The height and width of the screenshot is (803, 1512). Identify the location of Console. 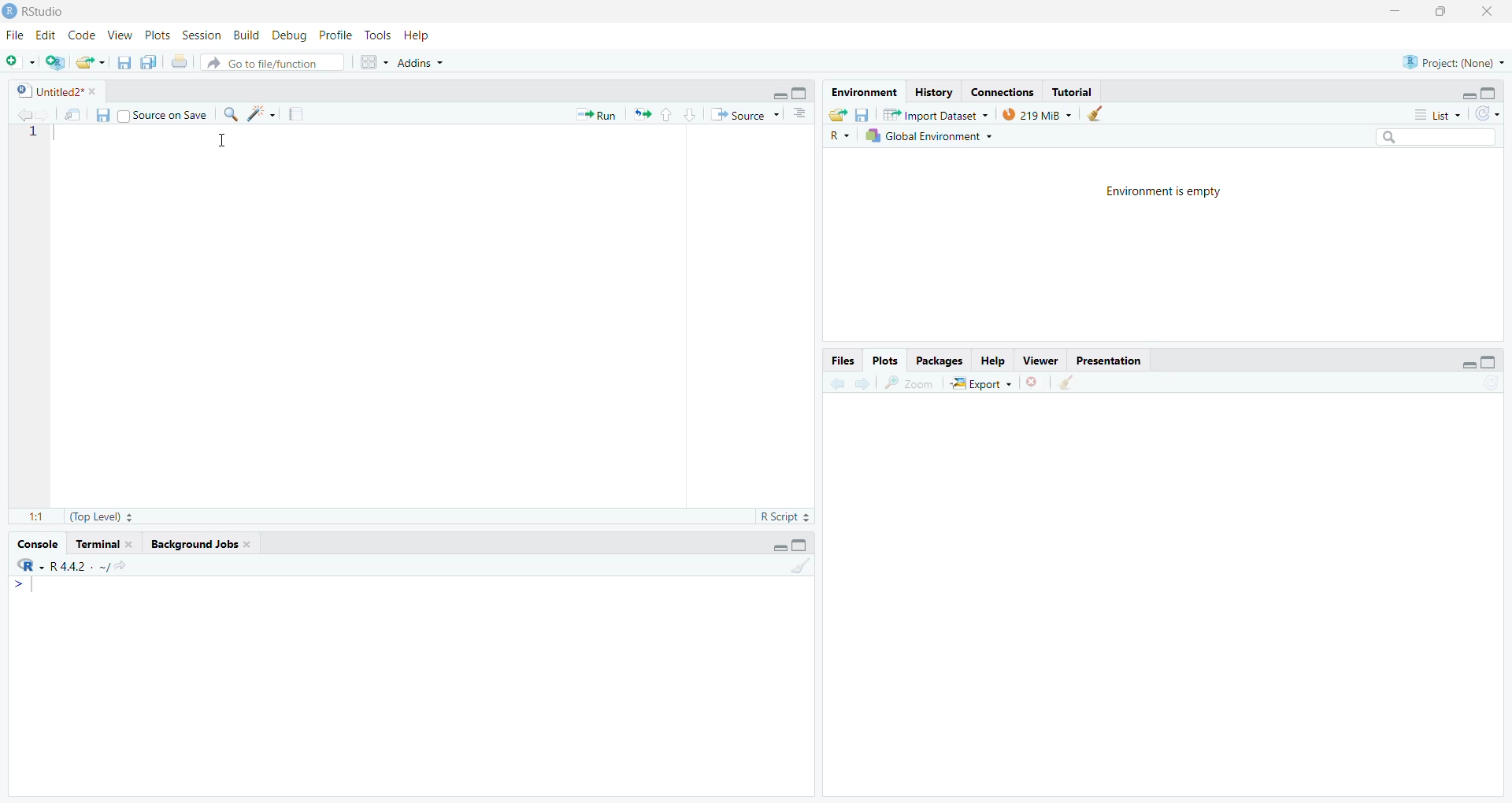
(411, 685).